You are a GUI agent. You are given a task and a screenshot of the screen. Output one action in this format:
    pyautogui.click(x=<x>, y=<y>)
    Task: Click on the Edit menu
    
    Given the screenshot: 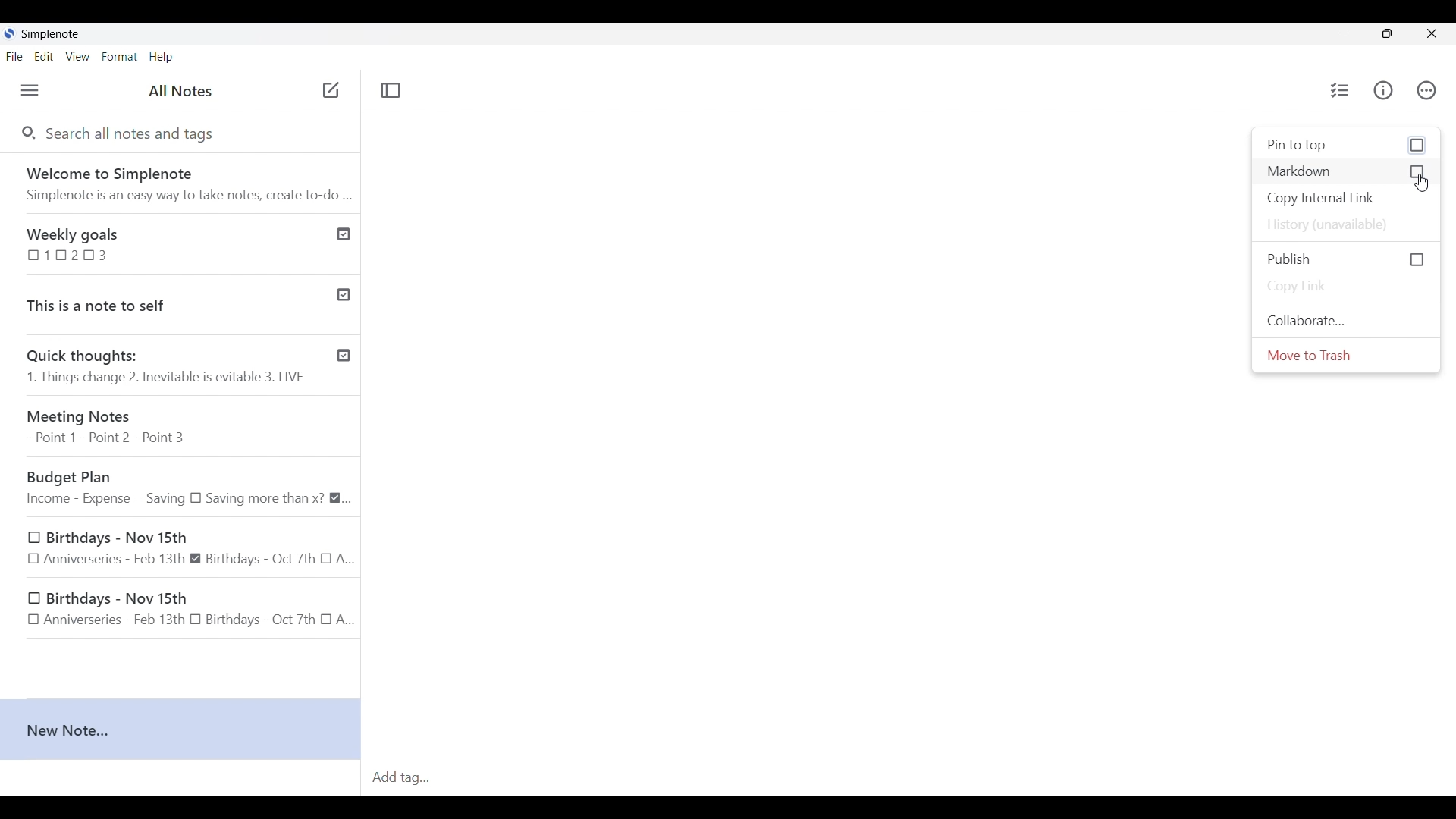 What is the action you would take?
    pyautogui.click(x=44, y=56)
    